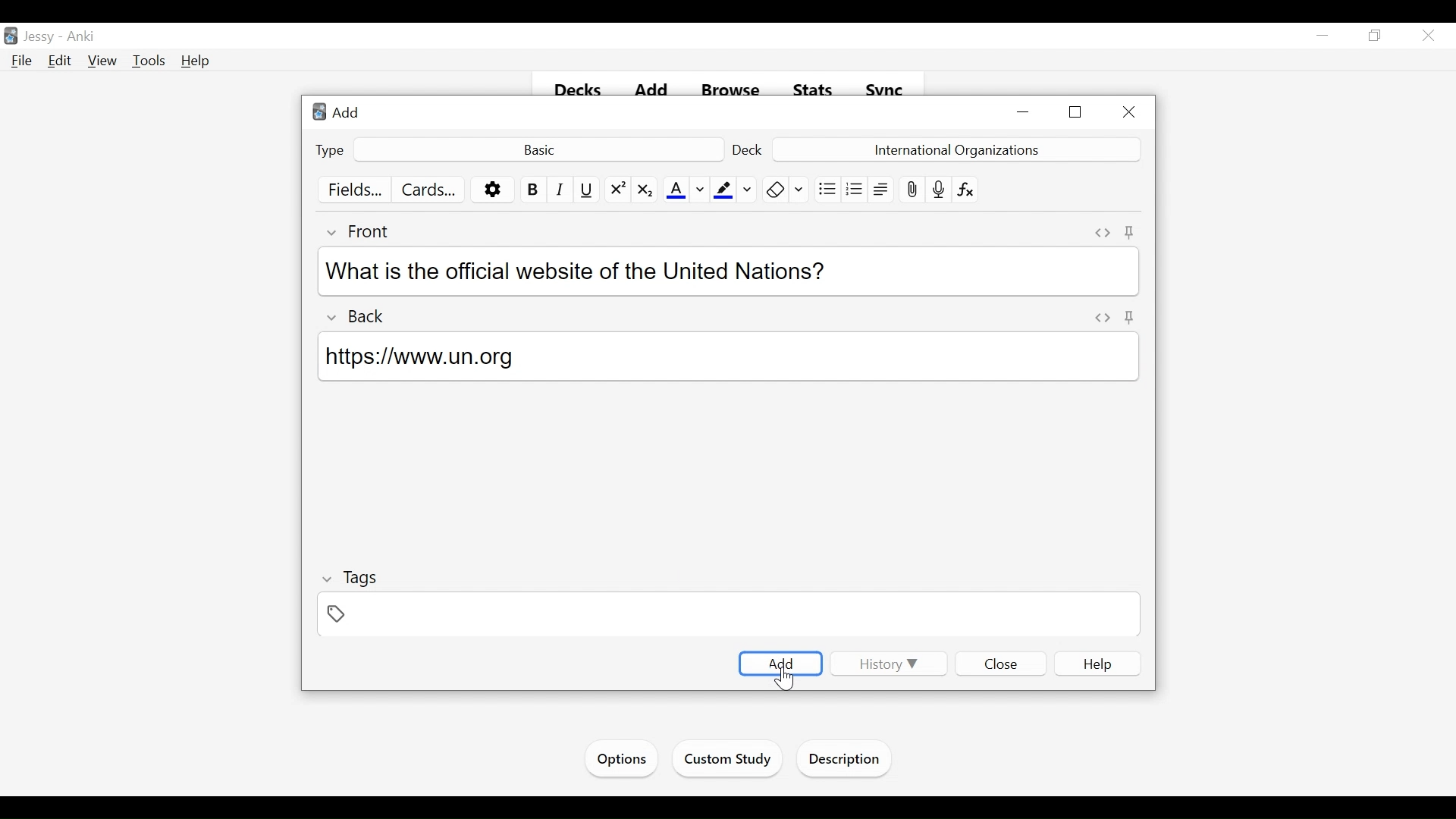 The image size is (1456, 819). I want to click on Options, so click(622, 759).